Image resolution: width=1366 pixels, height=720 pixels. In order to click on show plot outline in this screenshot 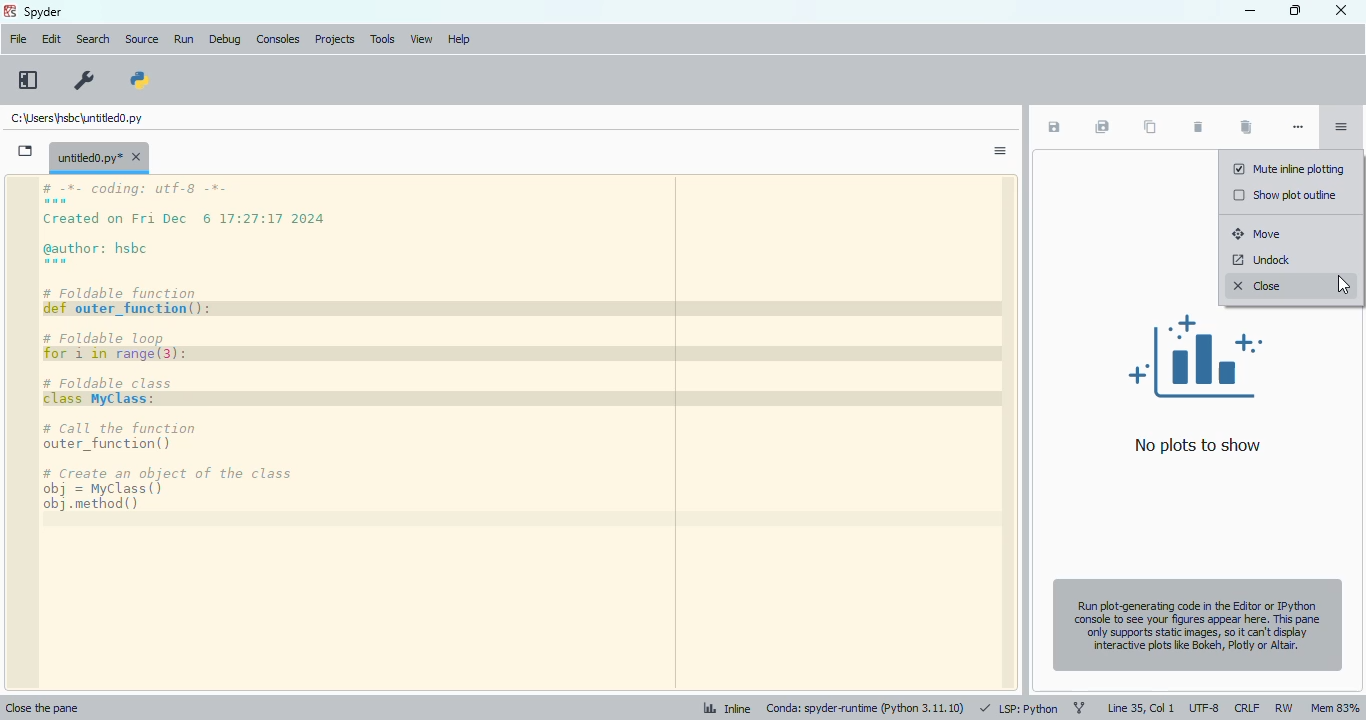, I will do `click(1286, 195)`.